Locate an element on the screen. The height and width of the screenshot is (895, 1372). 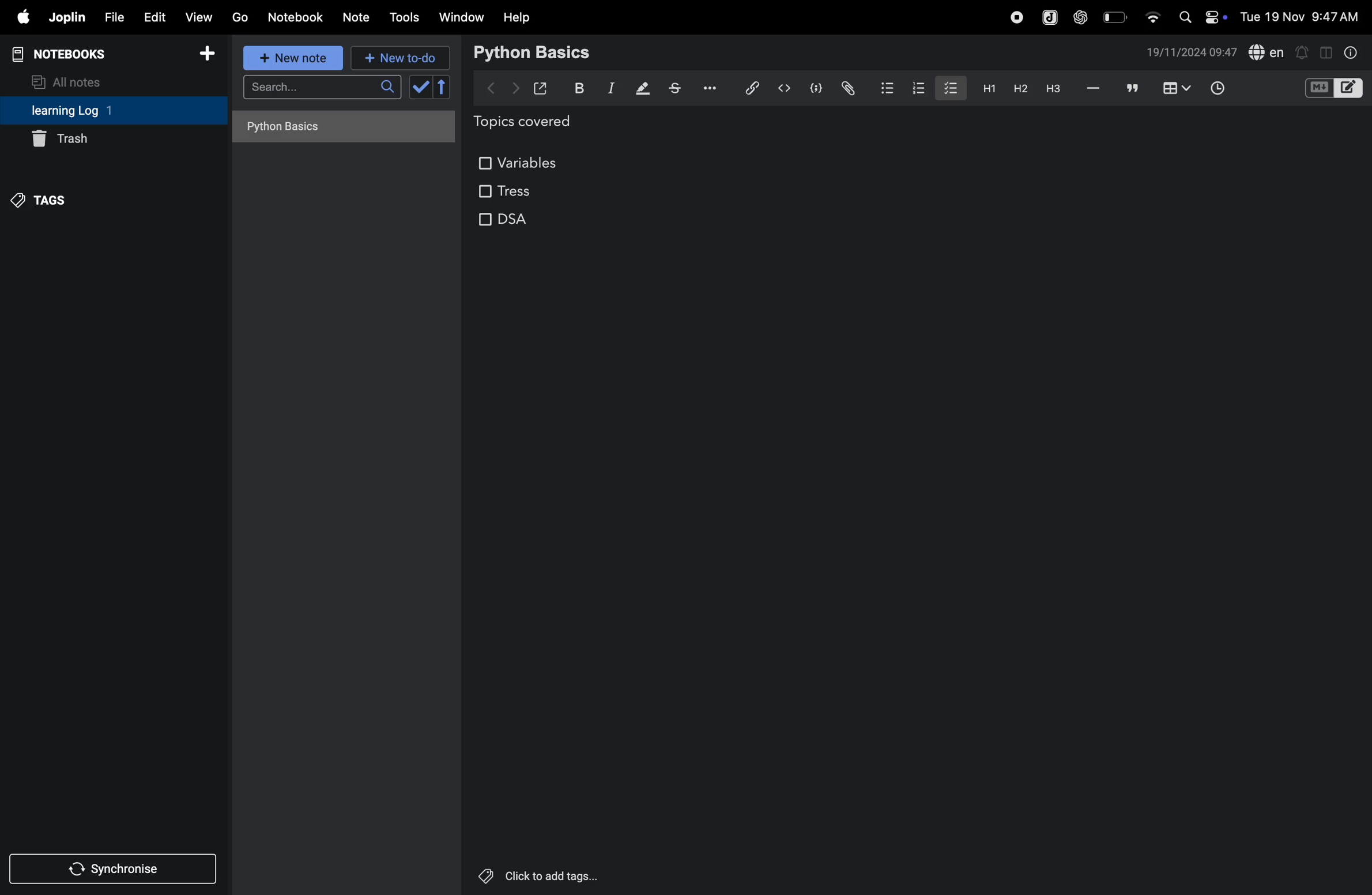
checkbox is located at coordinates (949, 87).